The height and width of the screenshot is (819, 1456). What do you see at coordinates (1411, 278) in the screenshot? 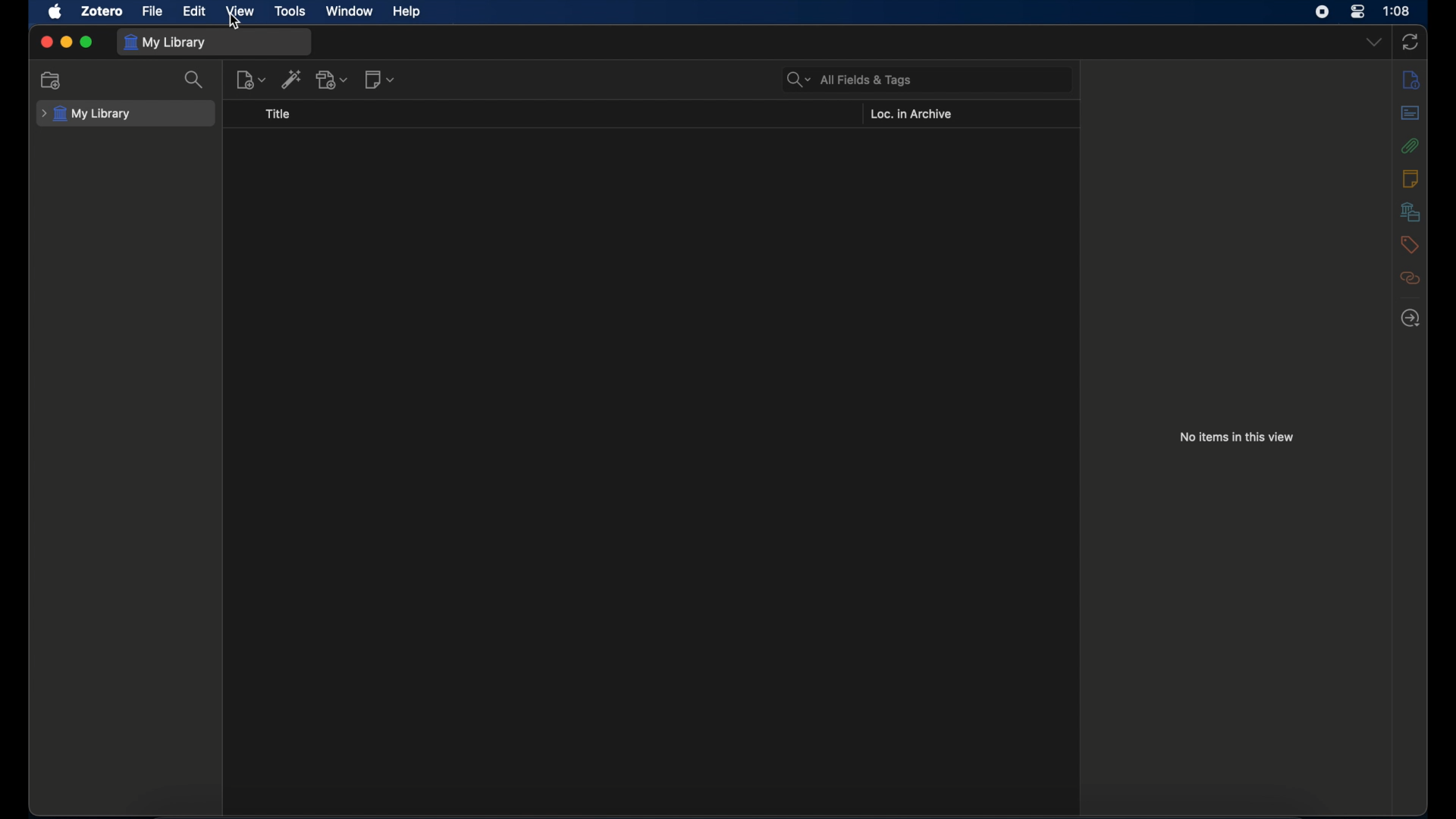
I see `related` at bounding box center [1411, 278].